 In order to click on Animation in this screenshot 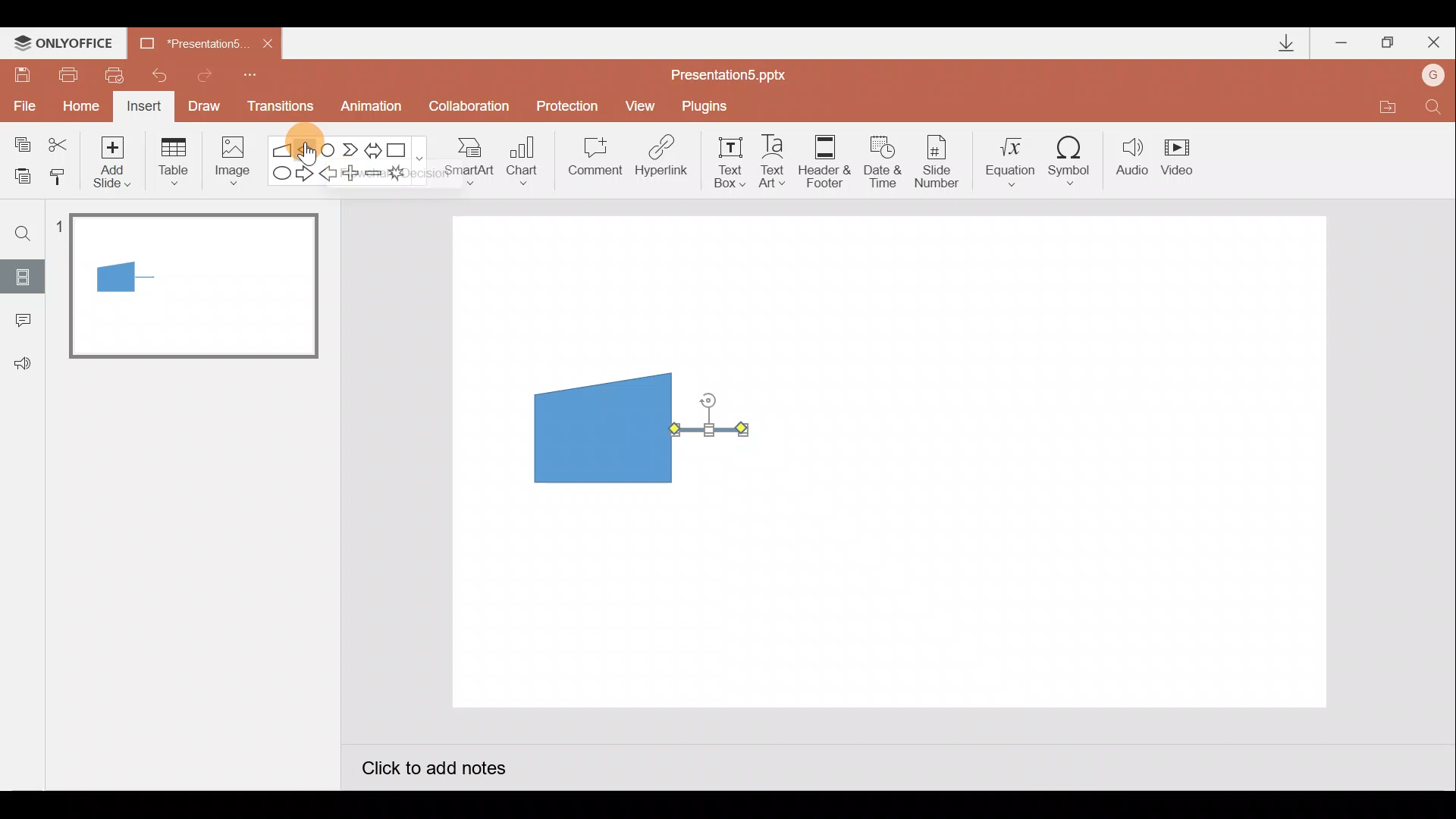, I will do `click(373, 108)`.